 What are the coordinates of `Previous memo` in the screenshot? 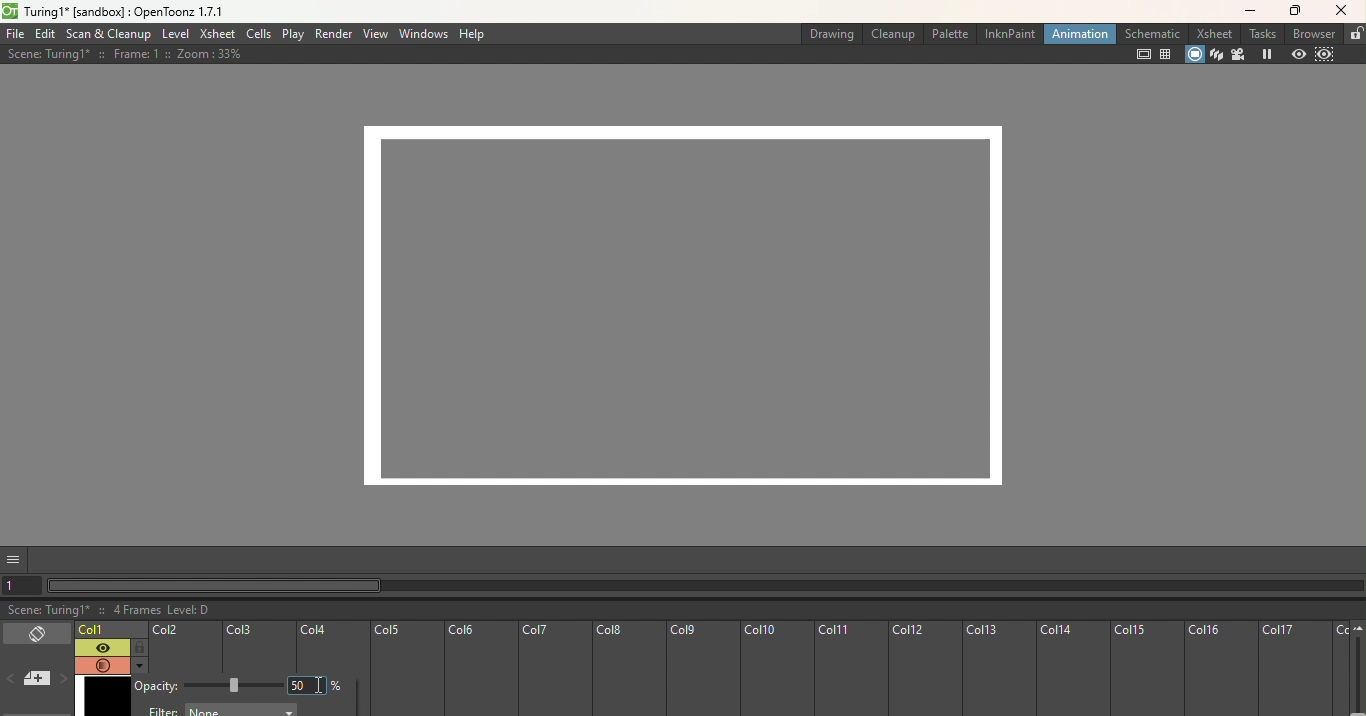 It's located at (12, 681).